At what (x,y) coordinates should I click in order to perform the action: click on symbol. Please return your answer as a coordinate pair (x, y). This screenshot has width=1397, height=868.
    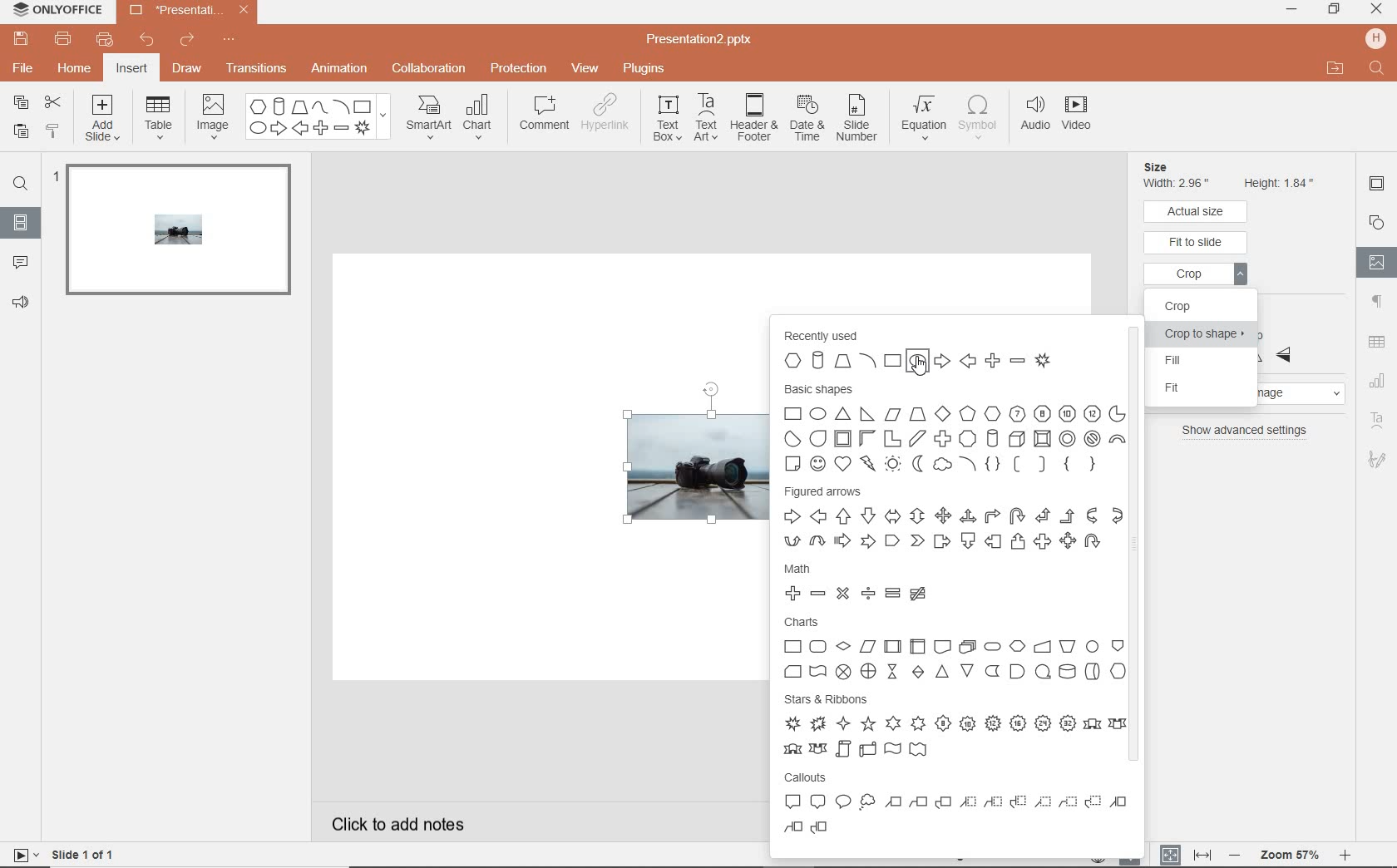
    Looking at the image, I should click on (980, 117).